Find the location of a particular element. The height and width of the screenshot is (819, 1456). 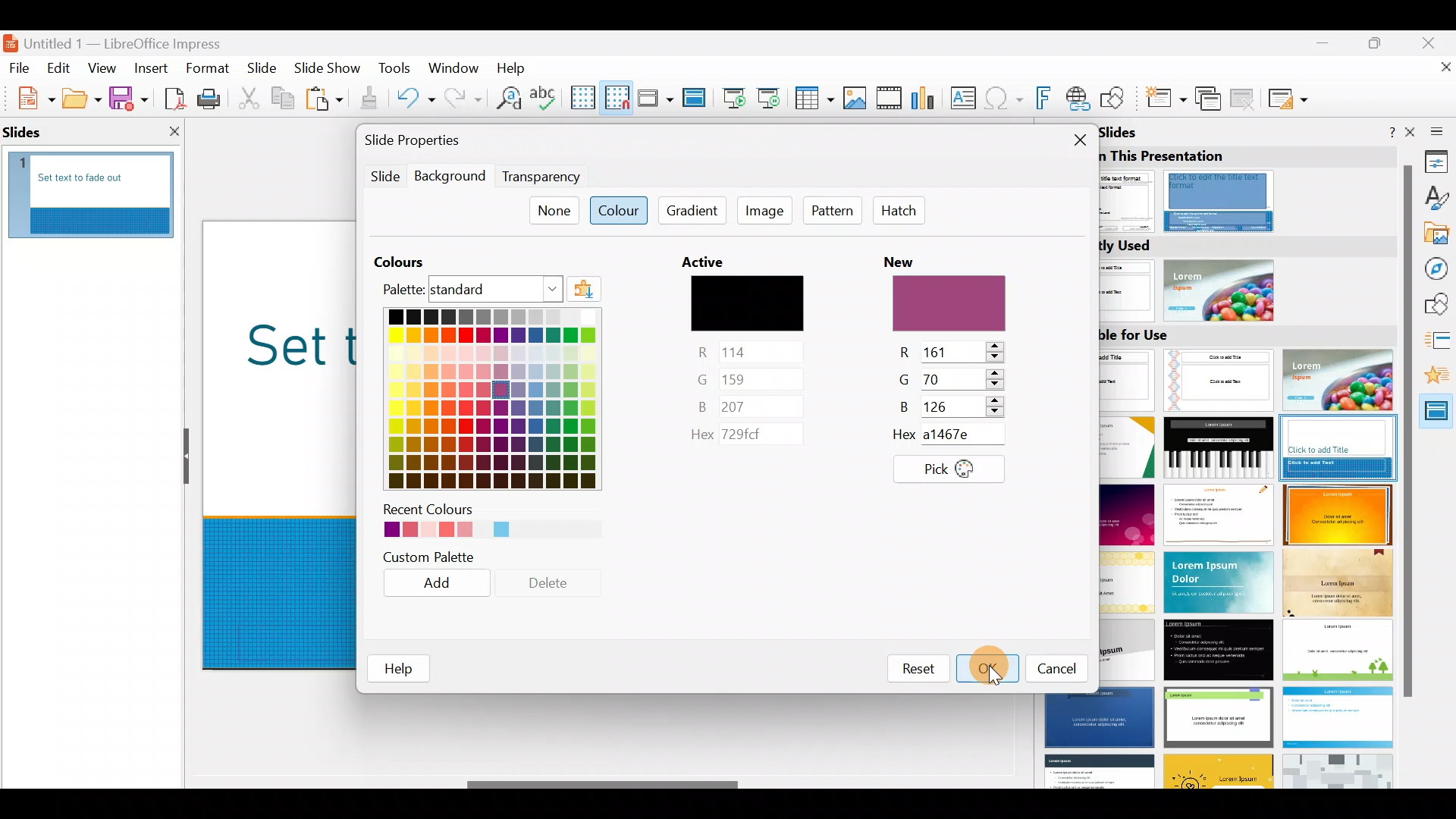

Insert is located at coordinates (150, 68).